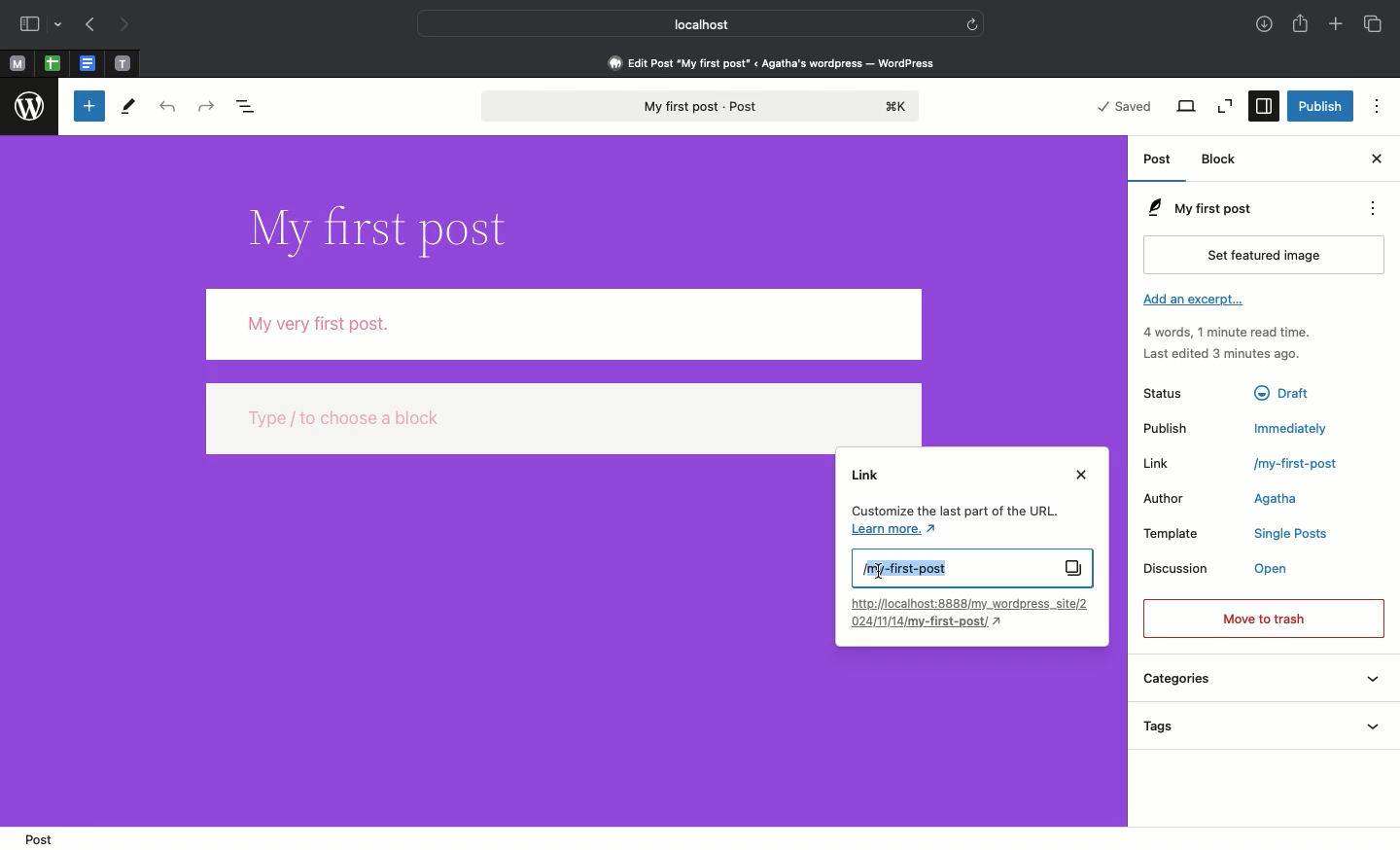  I want to click on Link, so click(1163, 463).